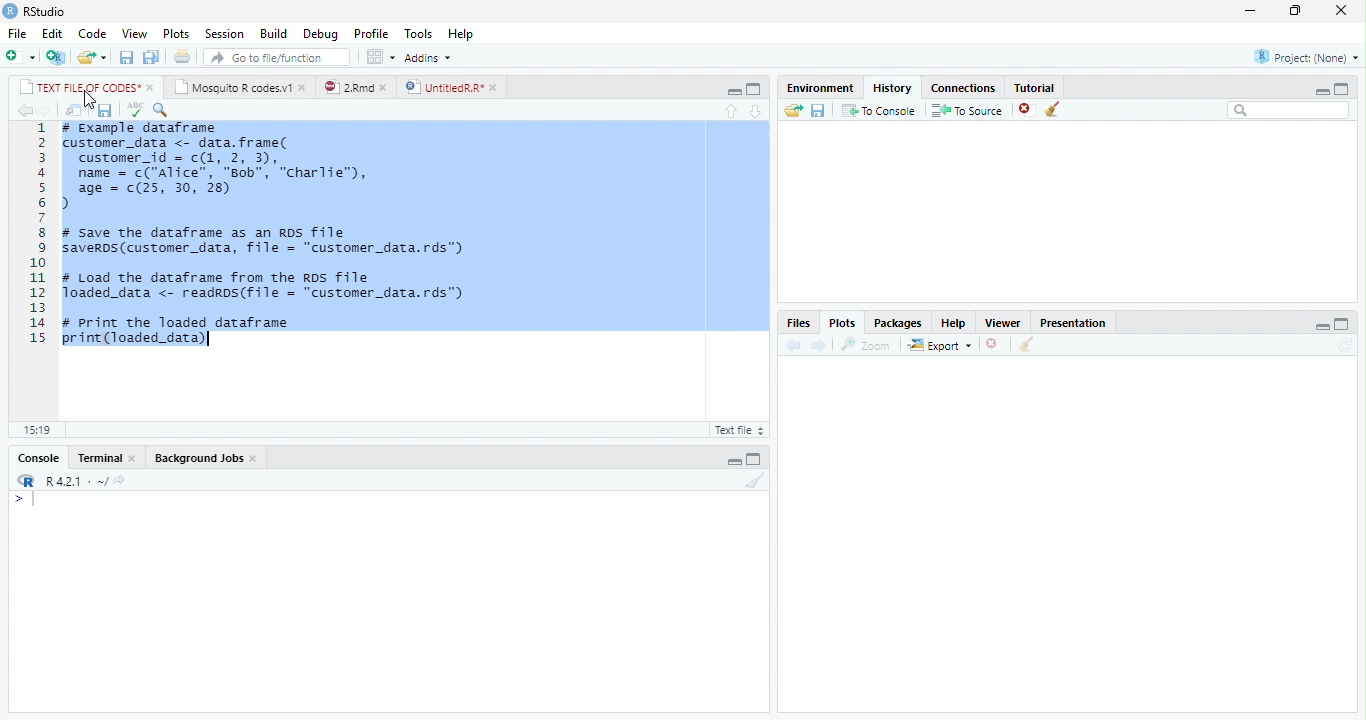  Describe the element at coordinates (418, 32) in the screenshot. I see `Tools` at that location.